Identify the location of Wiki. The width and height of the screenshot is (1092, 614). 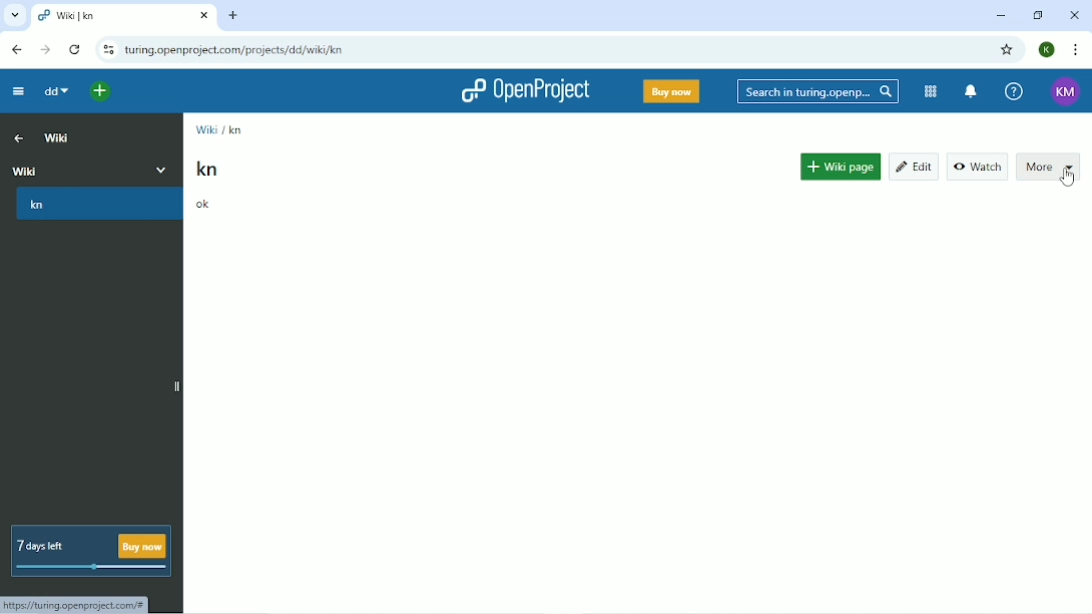
(56, 138).